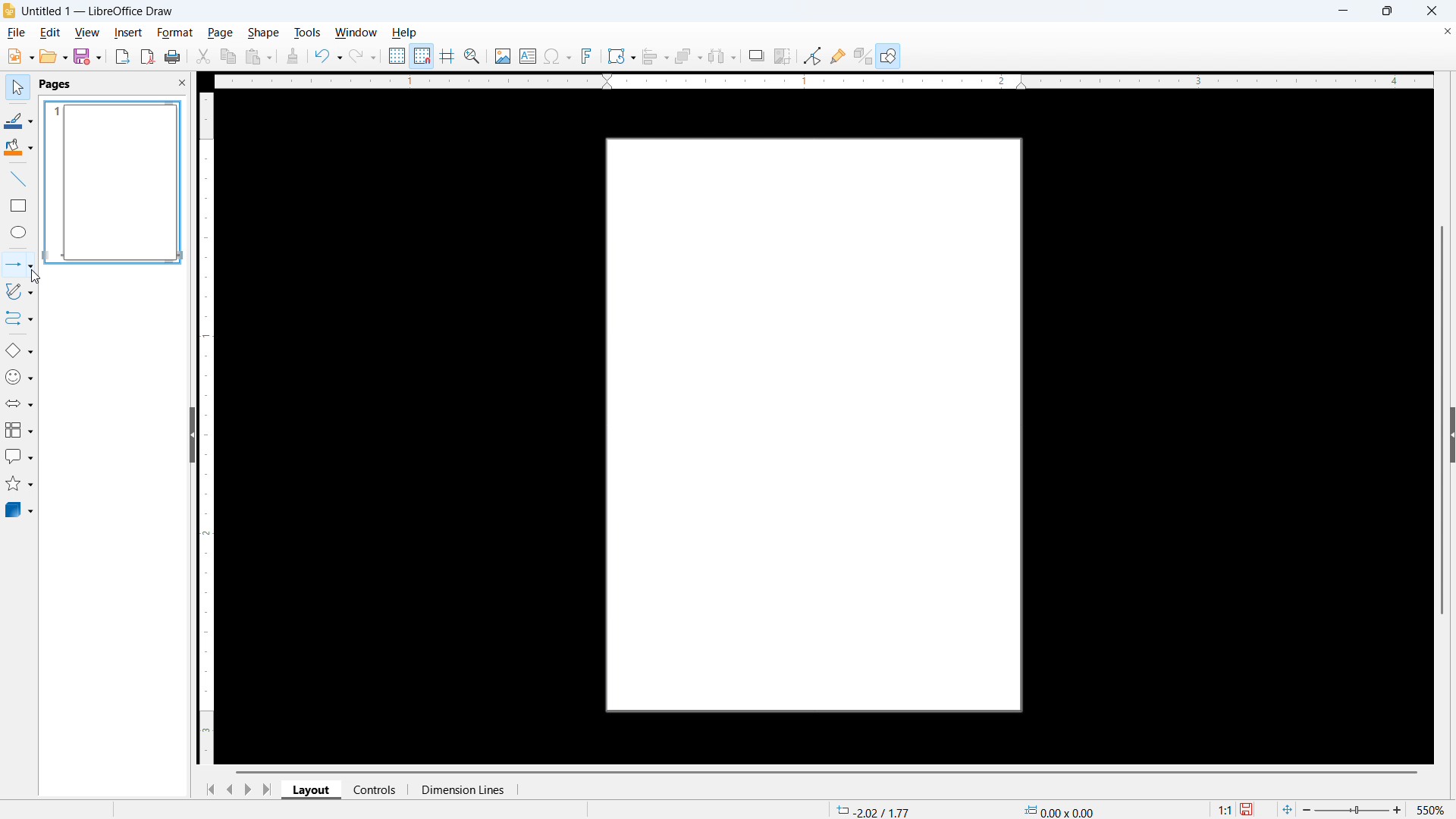 The image size is (1456, 819). What do you see at coordinates (19, 147) in the screenshot?
I see `Background colour ` at bounding box center [19, 147].